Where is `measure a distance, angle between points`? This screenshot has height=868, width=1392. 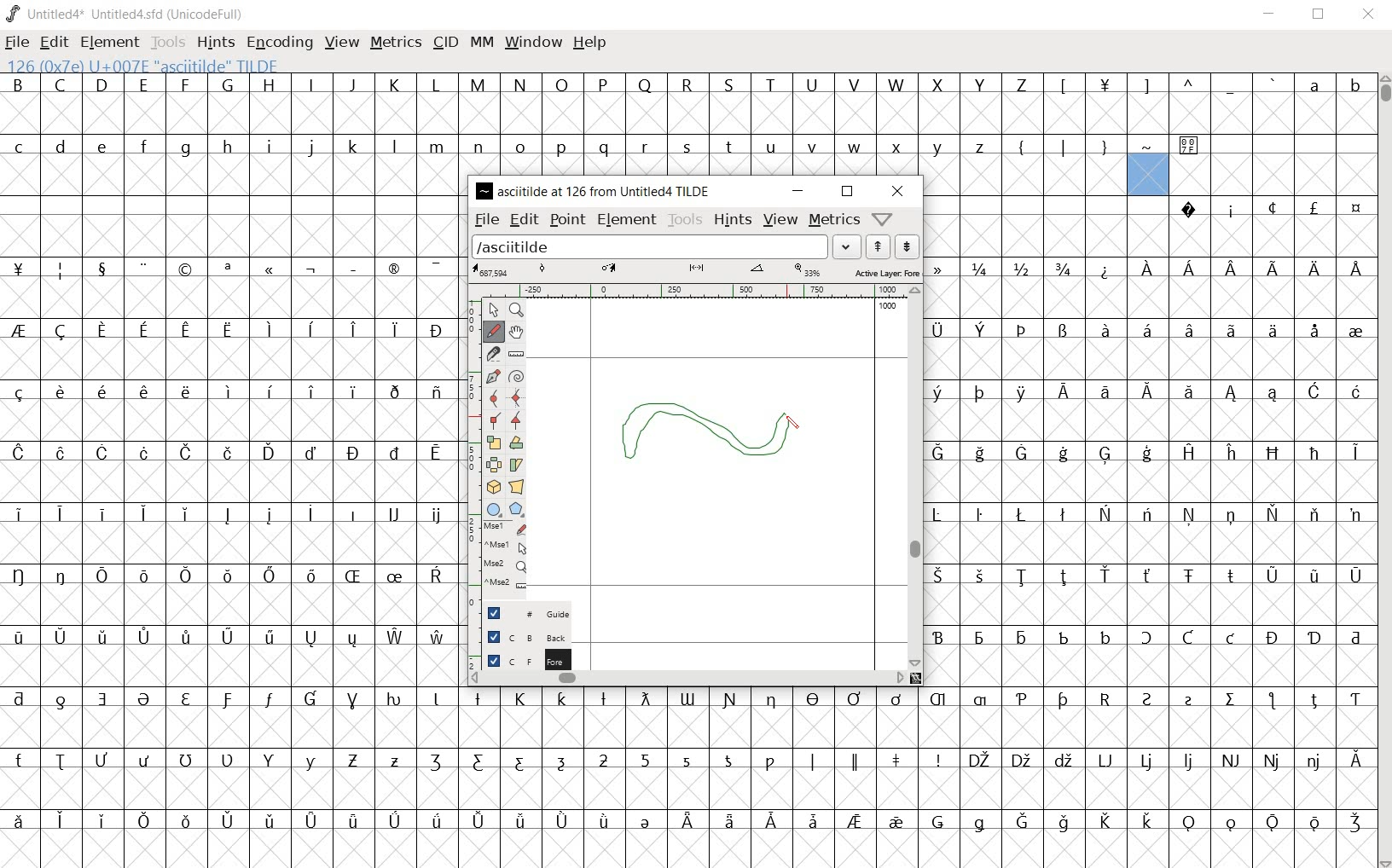 measure a distance, angle between points is located at coordinates (515, 352).